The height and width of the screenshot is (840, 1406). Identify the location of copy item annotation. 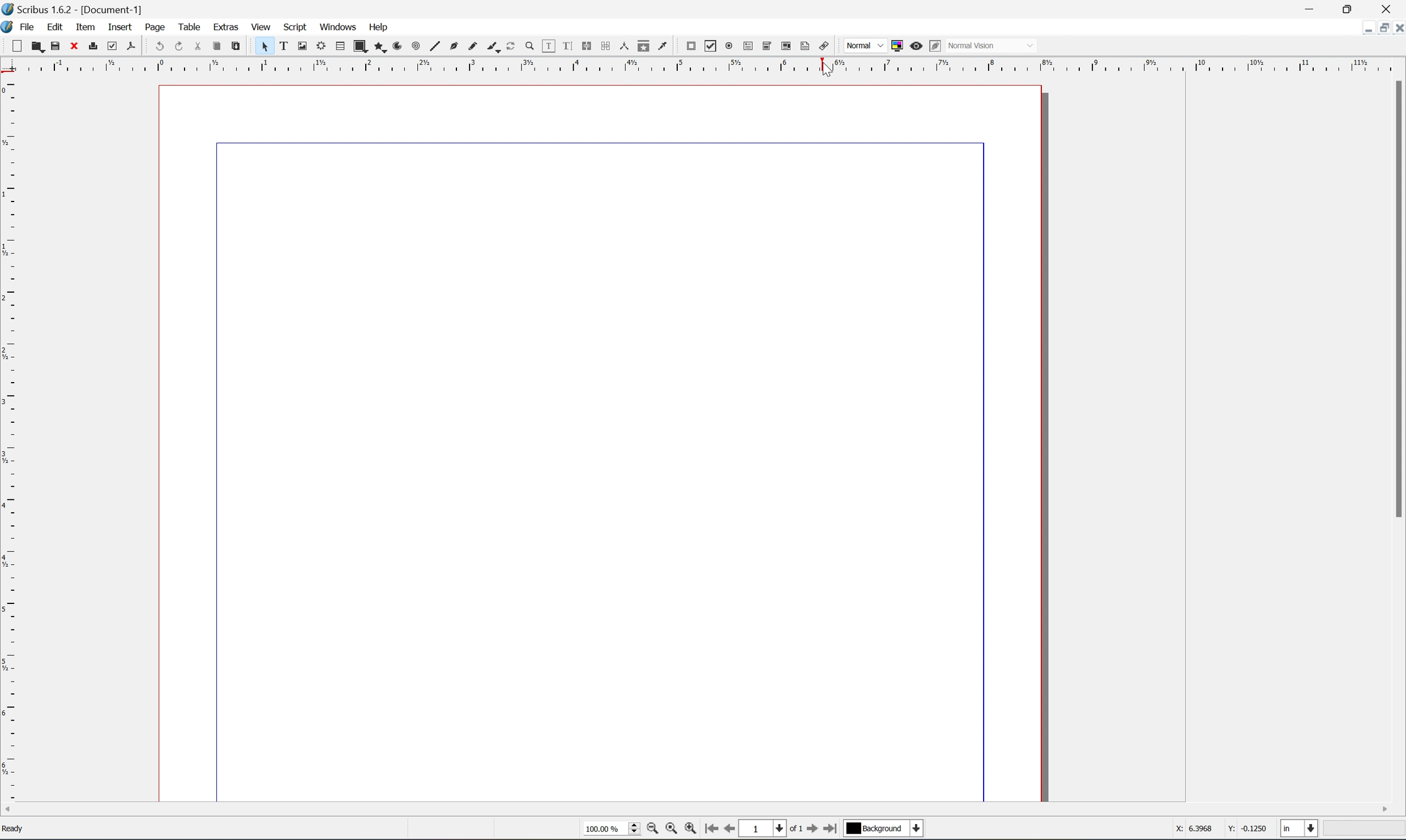
(645, 48).